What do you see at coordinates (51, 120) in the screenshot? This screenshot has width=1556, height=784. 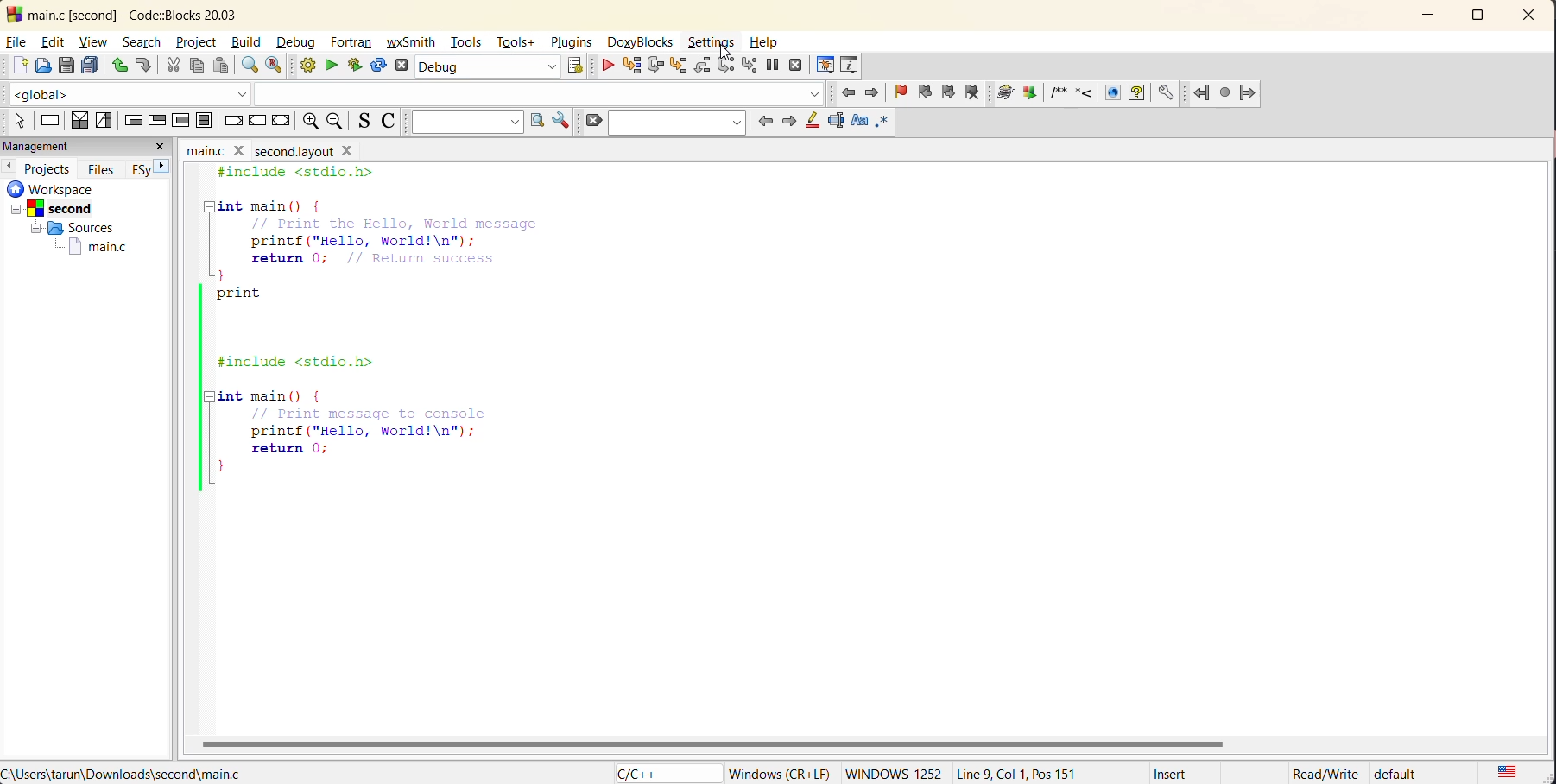 I see `instruction` at bounding box center [51, 120].